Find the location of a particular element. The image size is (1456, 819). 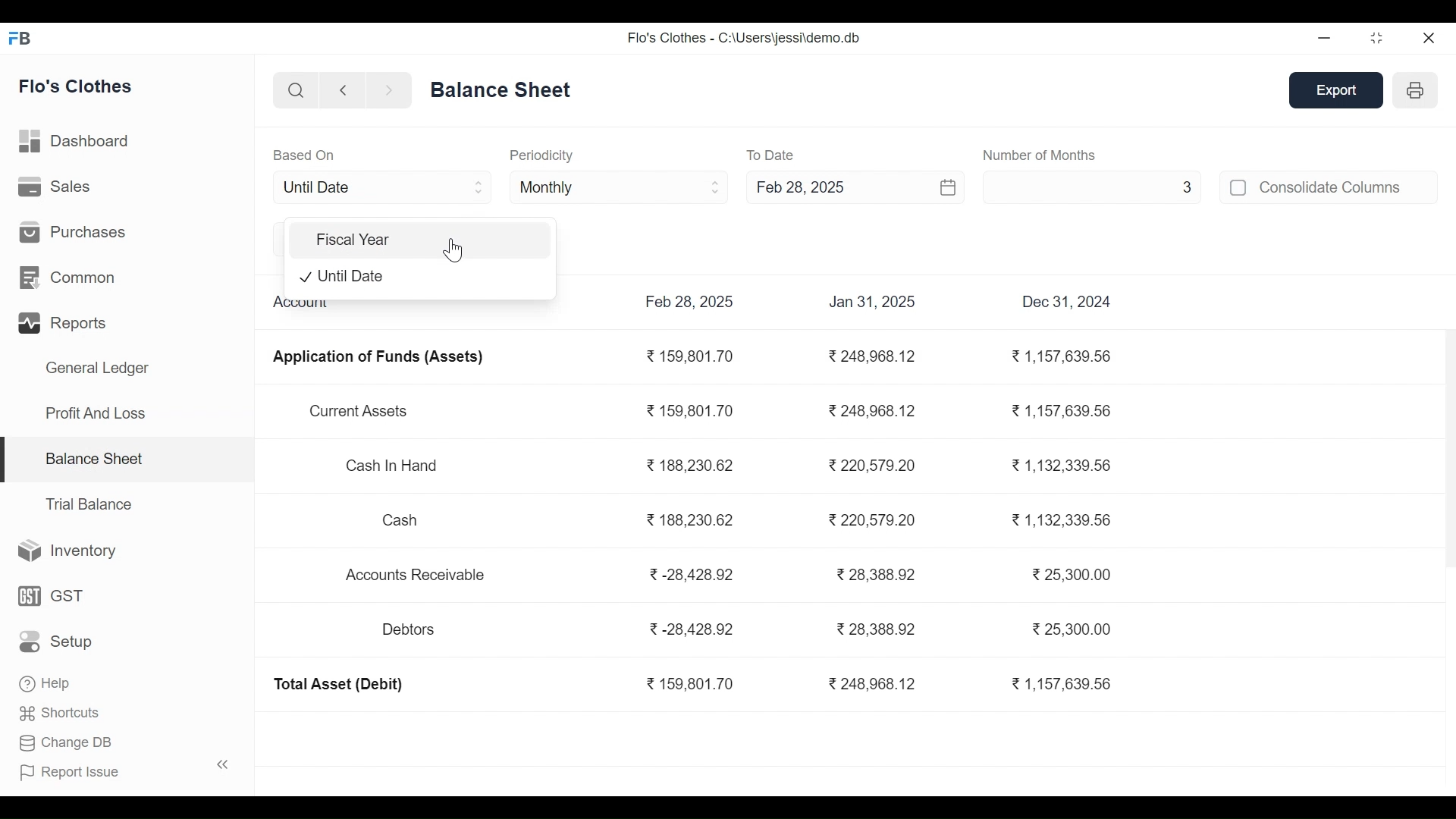

Dec 31, 2024 is located at coordinates (1068, 301).